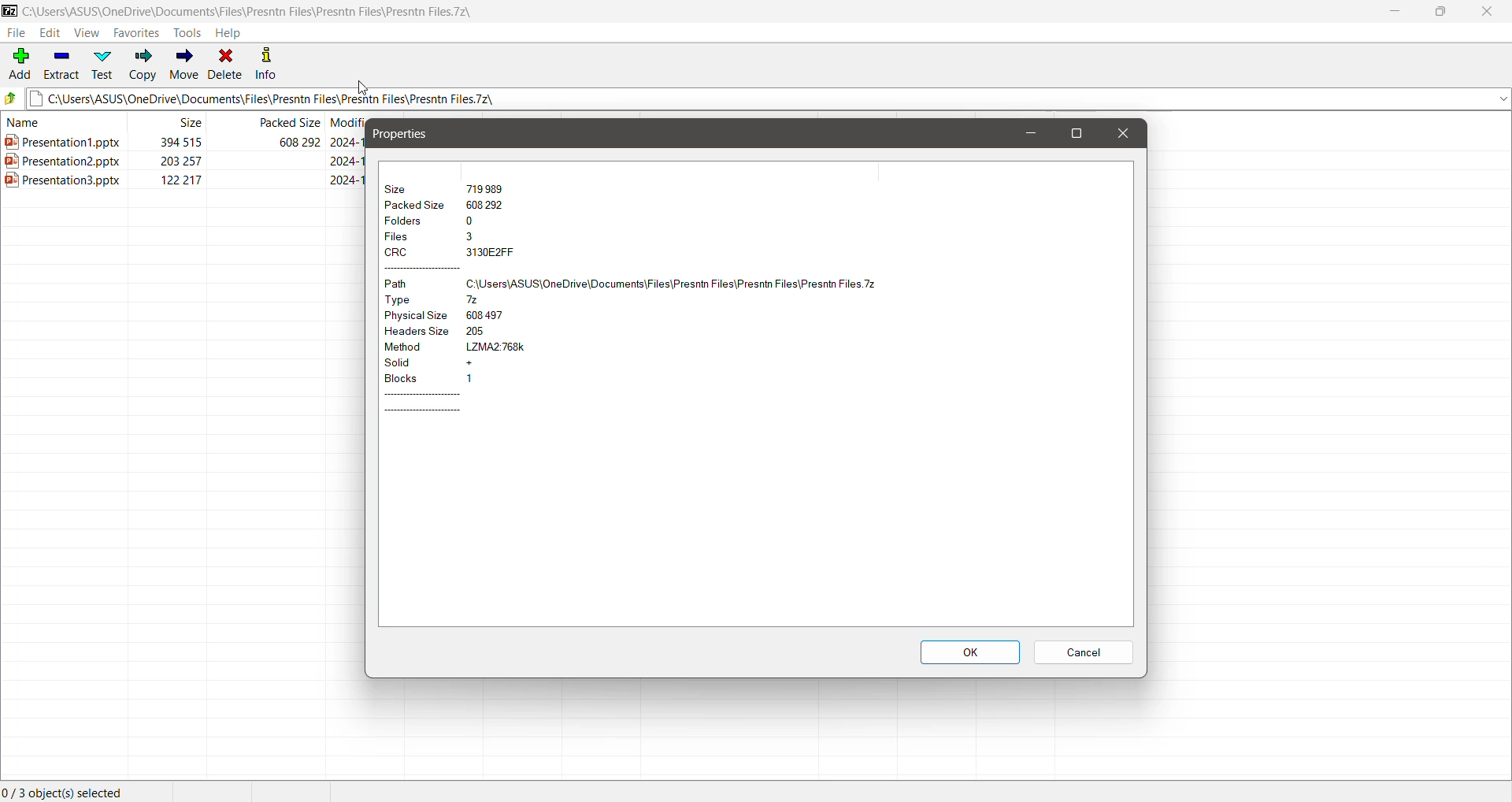 Image resolution: width=1512 pixels, height=802 pixels. I want to click on Minimize, so click(1033, 133).